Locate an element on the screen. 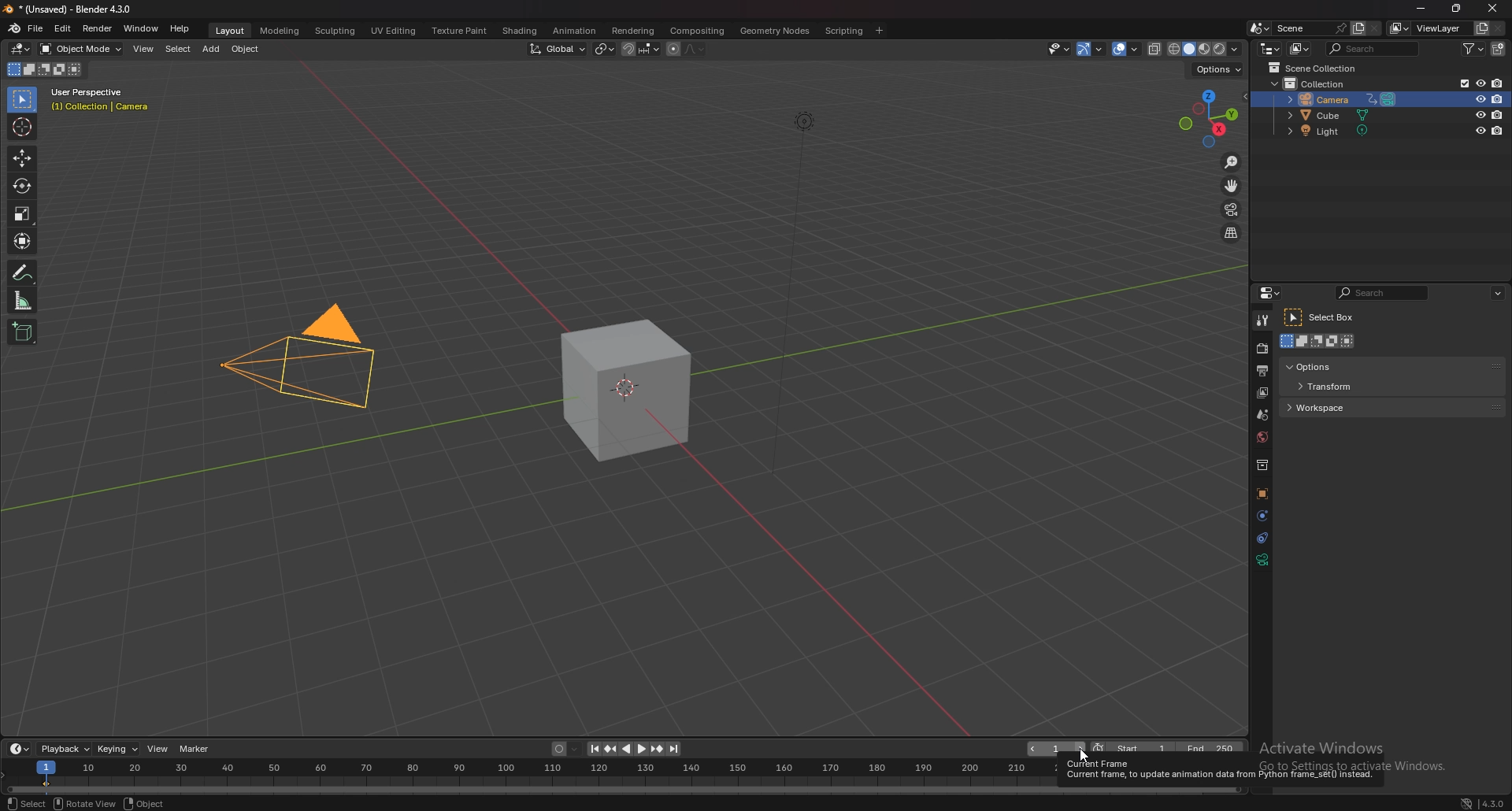 The width and height of the screenshot is (1512, 811). measure is located at coordinates (24, 299).